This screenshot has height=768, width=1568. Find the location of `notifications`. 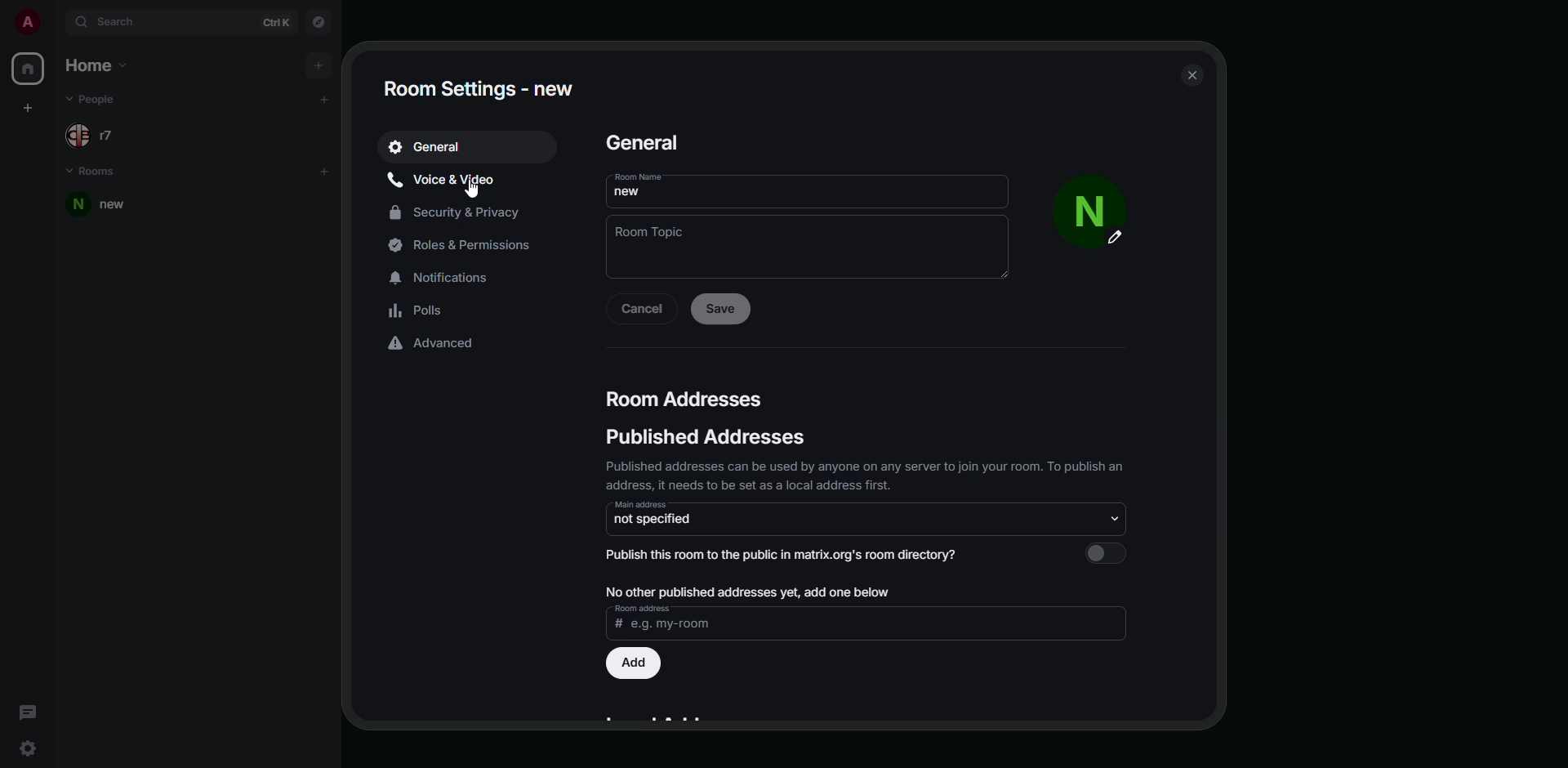

notifications is located at coordinates (448, 276).